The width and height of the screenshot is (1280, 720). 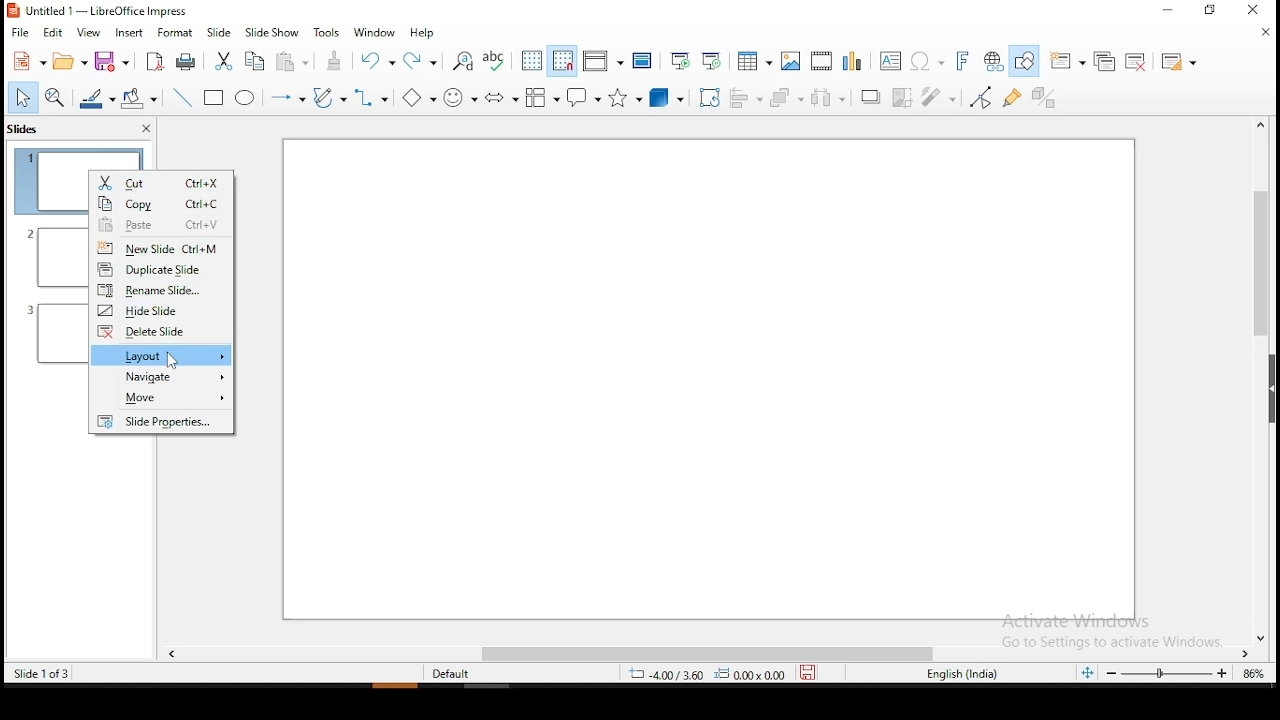 What do you see at coordinates (964, 61) in the screenshot?
I see `insert fontwork text` at bounding box center [964, 61].